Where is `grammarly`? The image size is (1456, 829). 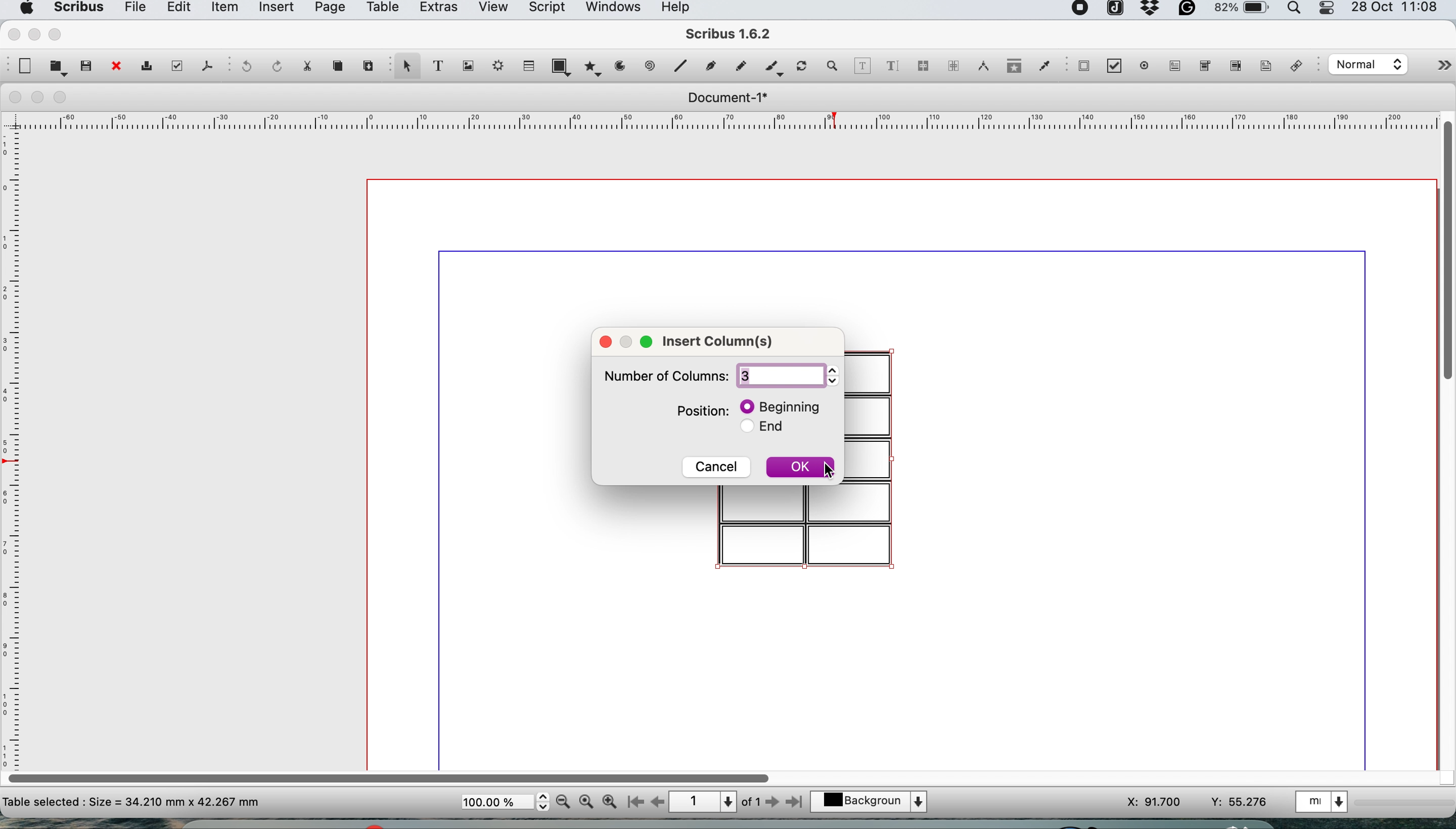 grammarly is located at coordinates (1189, 11).